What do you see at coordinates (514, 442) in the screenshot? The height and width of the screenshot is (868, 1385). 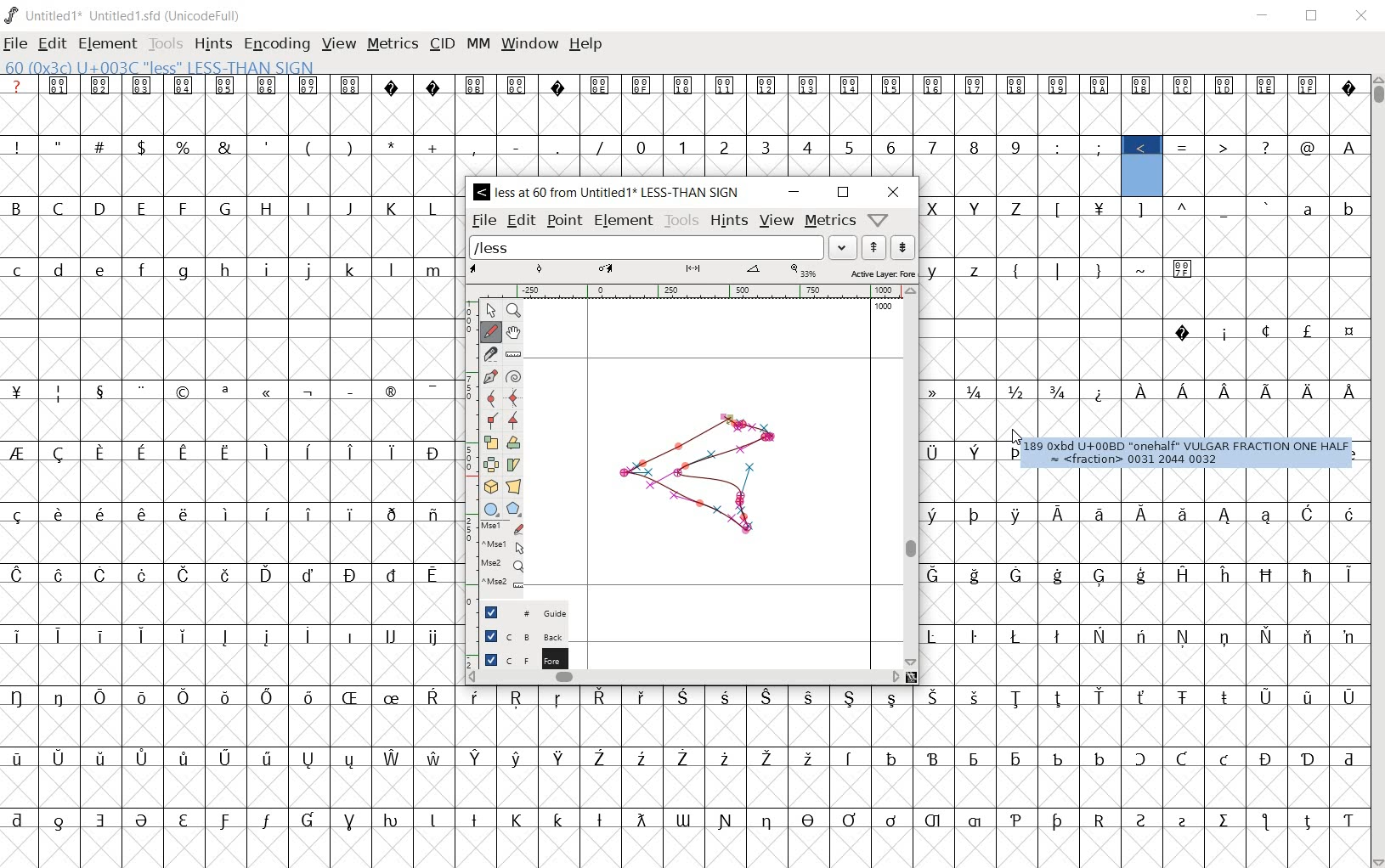 I see `Rotate the selection` at bounding box center [514, 442].